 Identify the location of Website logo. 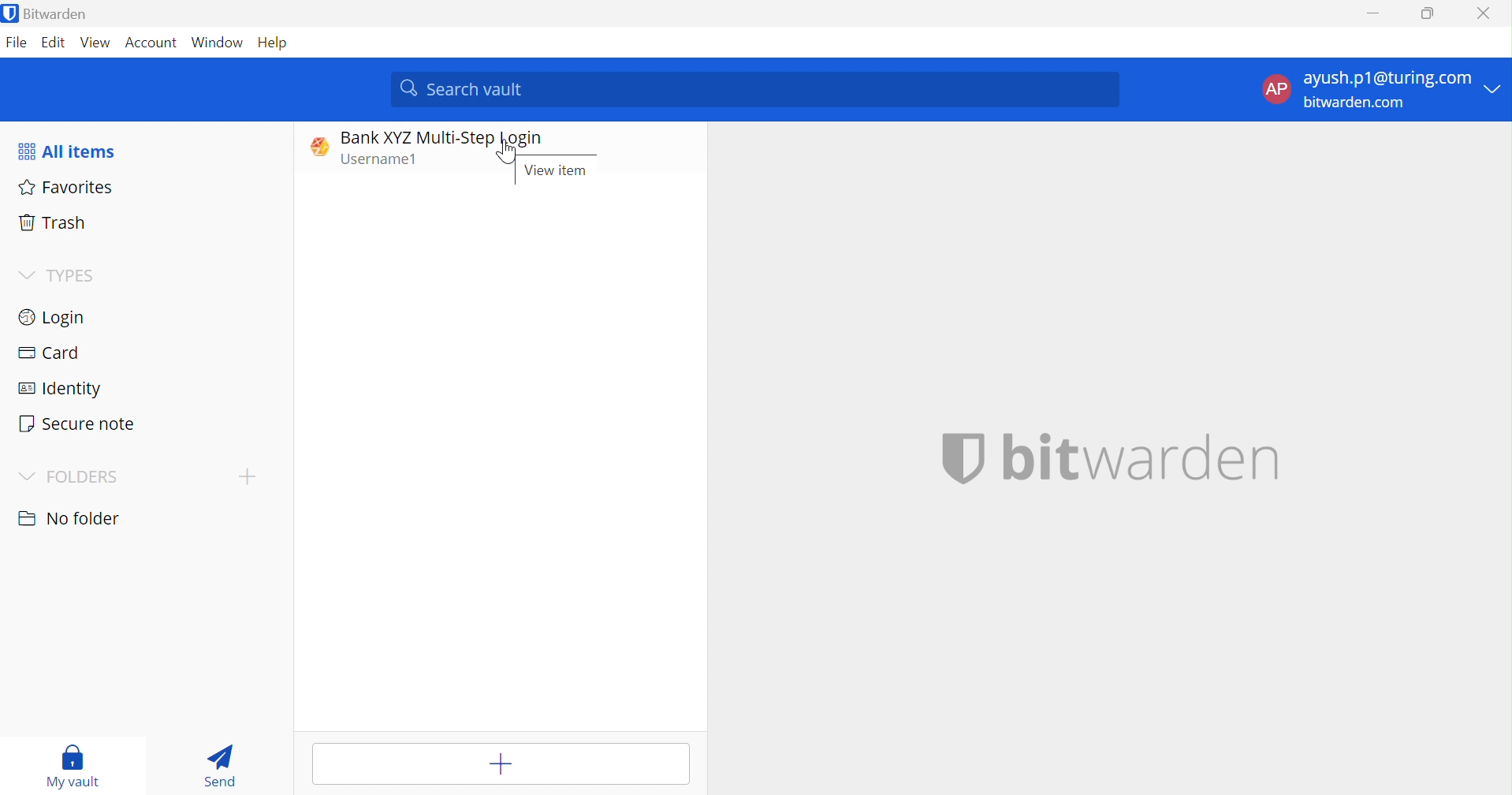
(315, 146).